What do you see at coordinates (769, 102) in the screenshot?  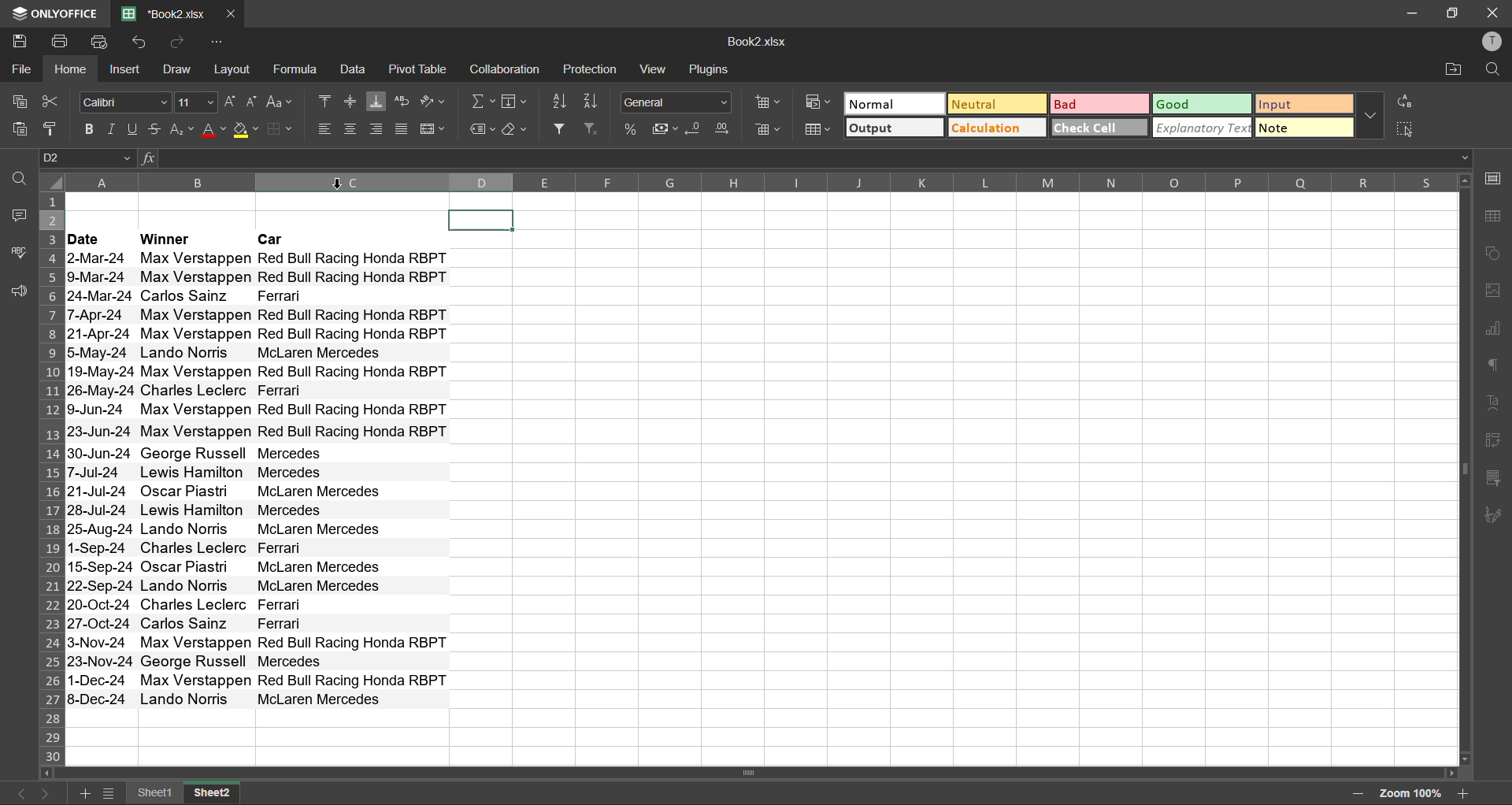 I see `insert cells` at bounding box center [769, 102].